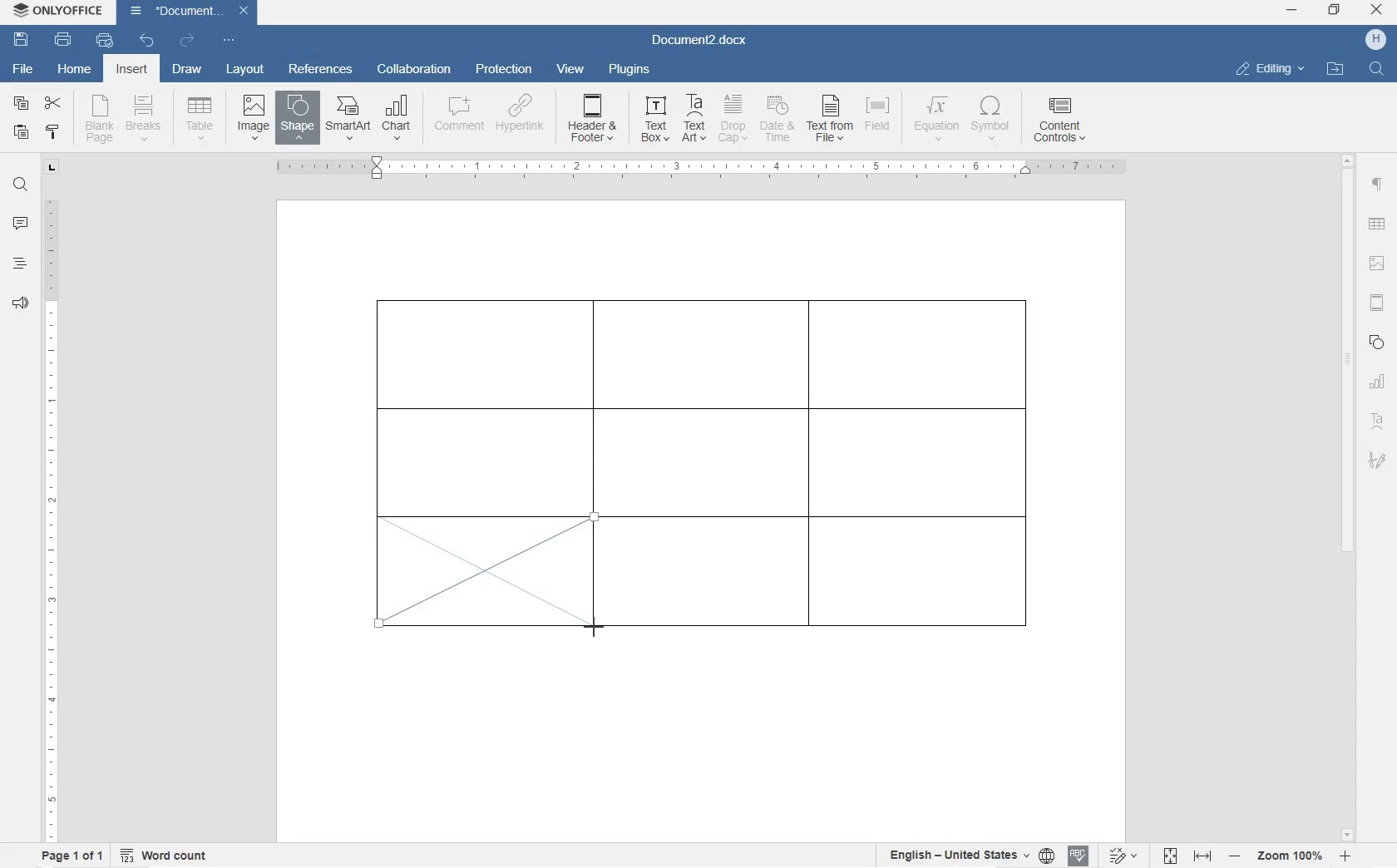 This screenshot has height=868, width=1397. Describe the element at coordinates (22, 186) in the screenshot. I see `find` at that location.